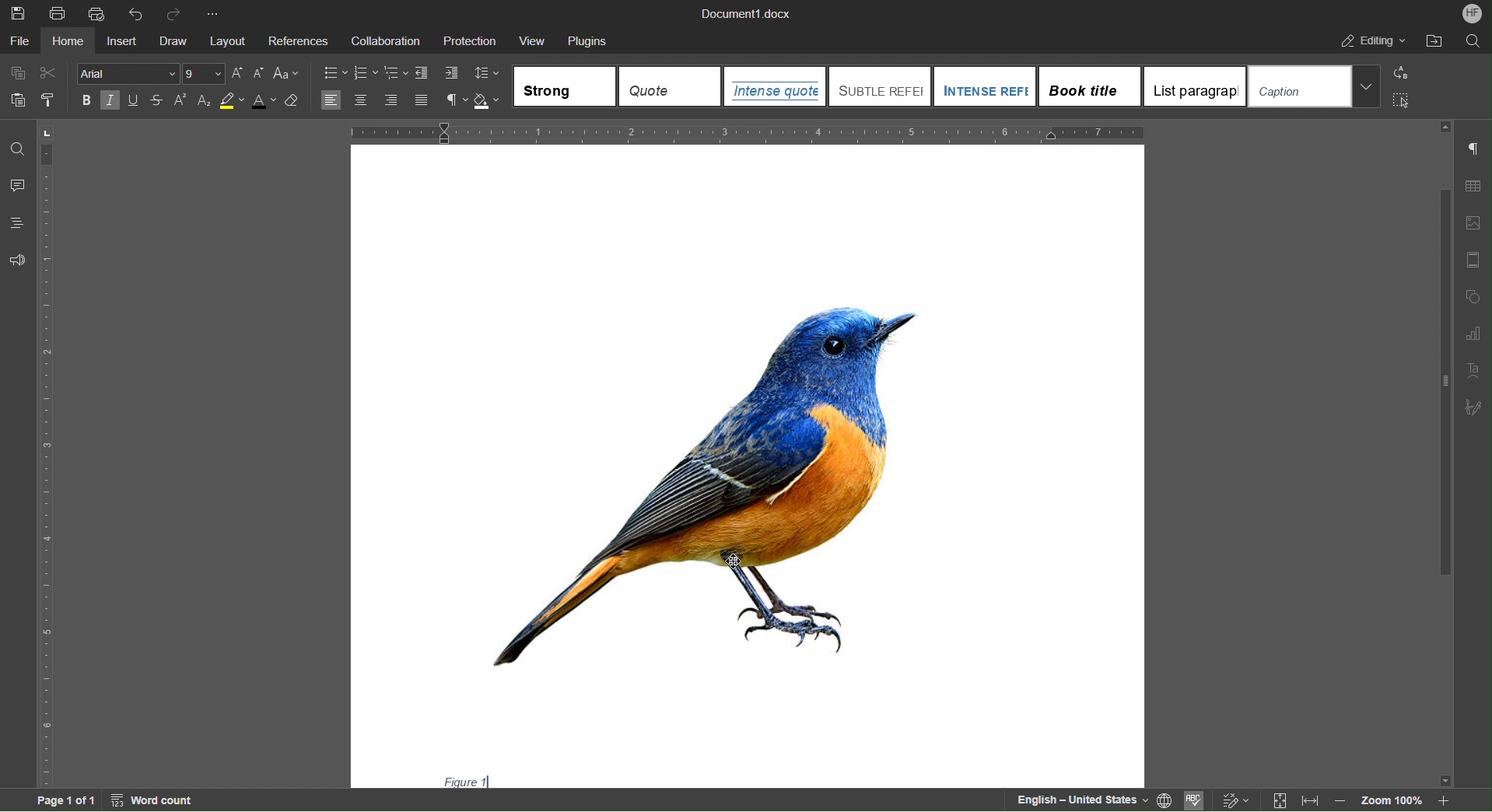 This screenshot has height=812, width=1492. Describe the element at coordinates (1166, 799) in the screenshot. I see `Set Document Language` at that location.